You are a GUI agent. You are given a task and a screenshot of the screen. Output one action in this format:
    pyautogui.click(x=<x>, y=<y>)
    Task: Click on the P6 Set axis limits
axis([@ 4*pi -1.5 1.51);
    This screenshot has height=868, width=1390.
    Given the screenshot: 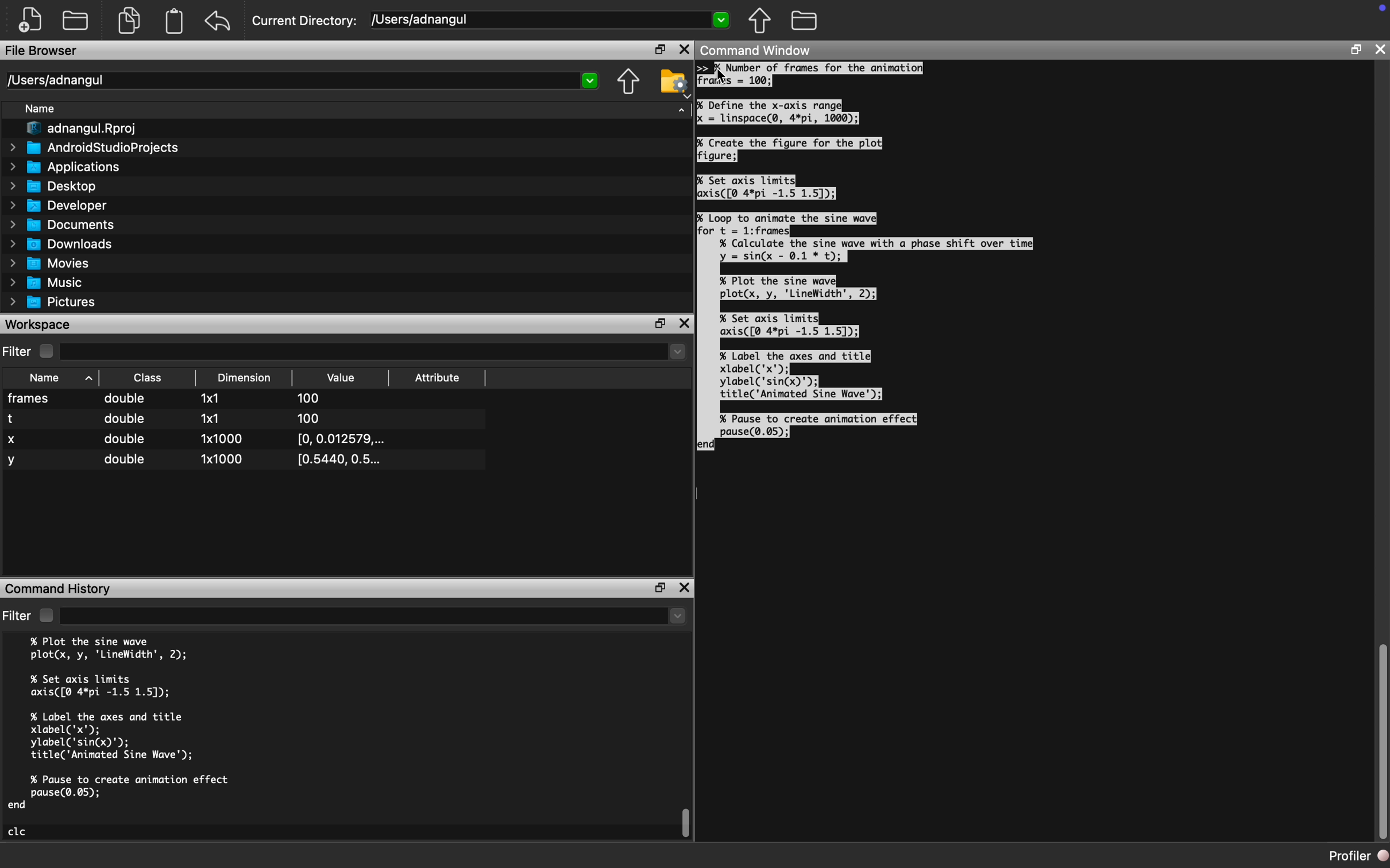 What is the action you would take?
    pyautogui.click(x=767, y=188)
    